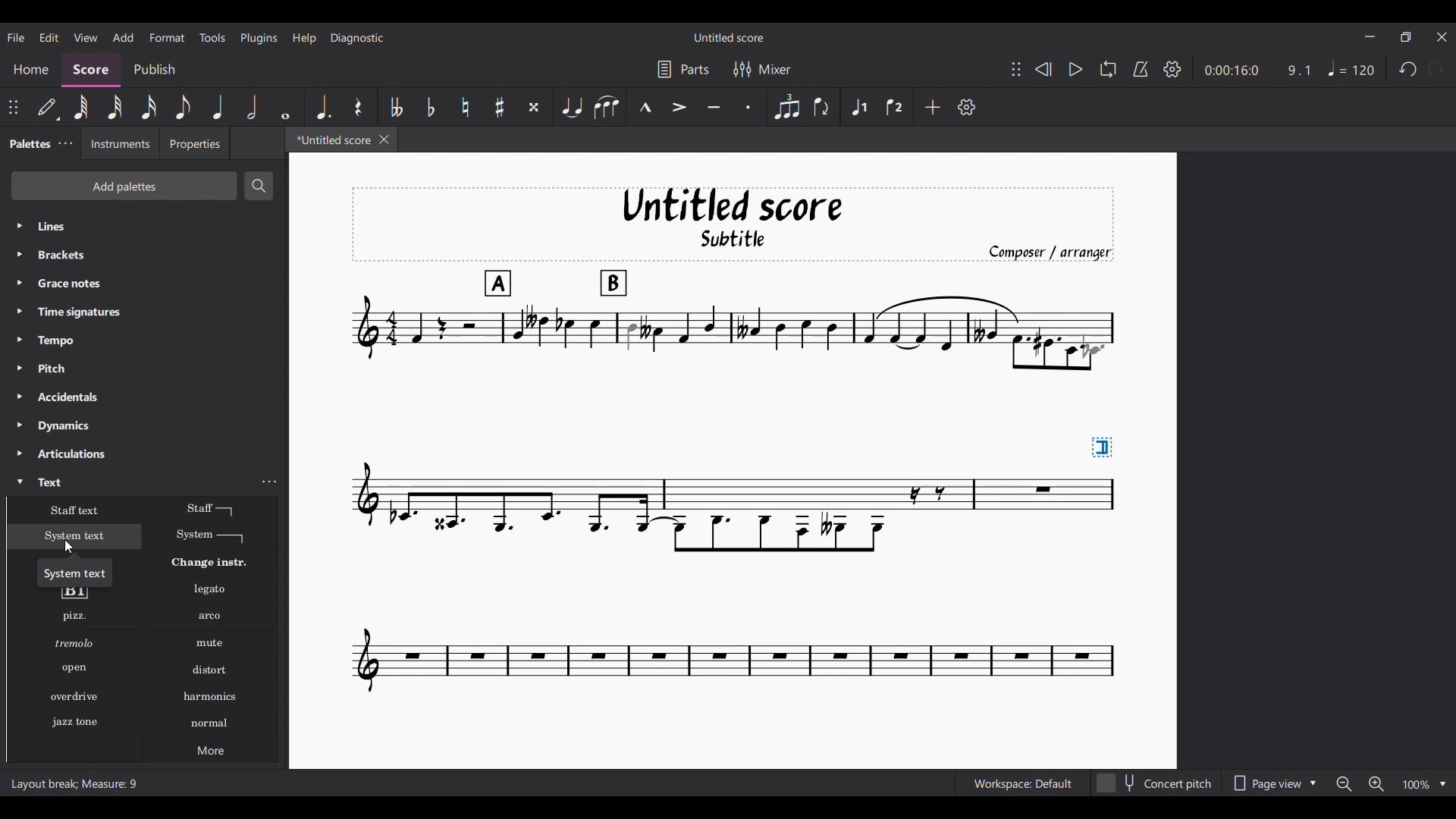 The width and height of the screenshot is (1456, 819). I want to click on System text, so click(75, 536).